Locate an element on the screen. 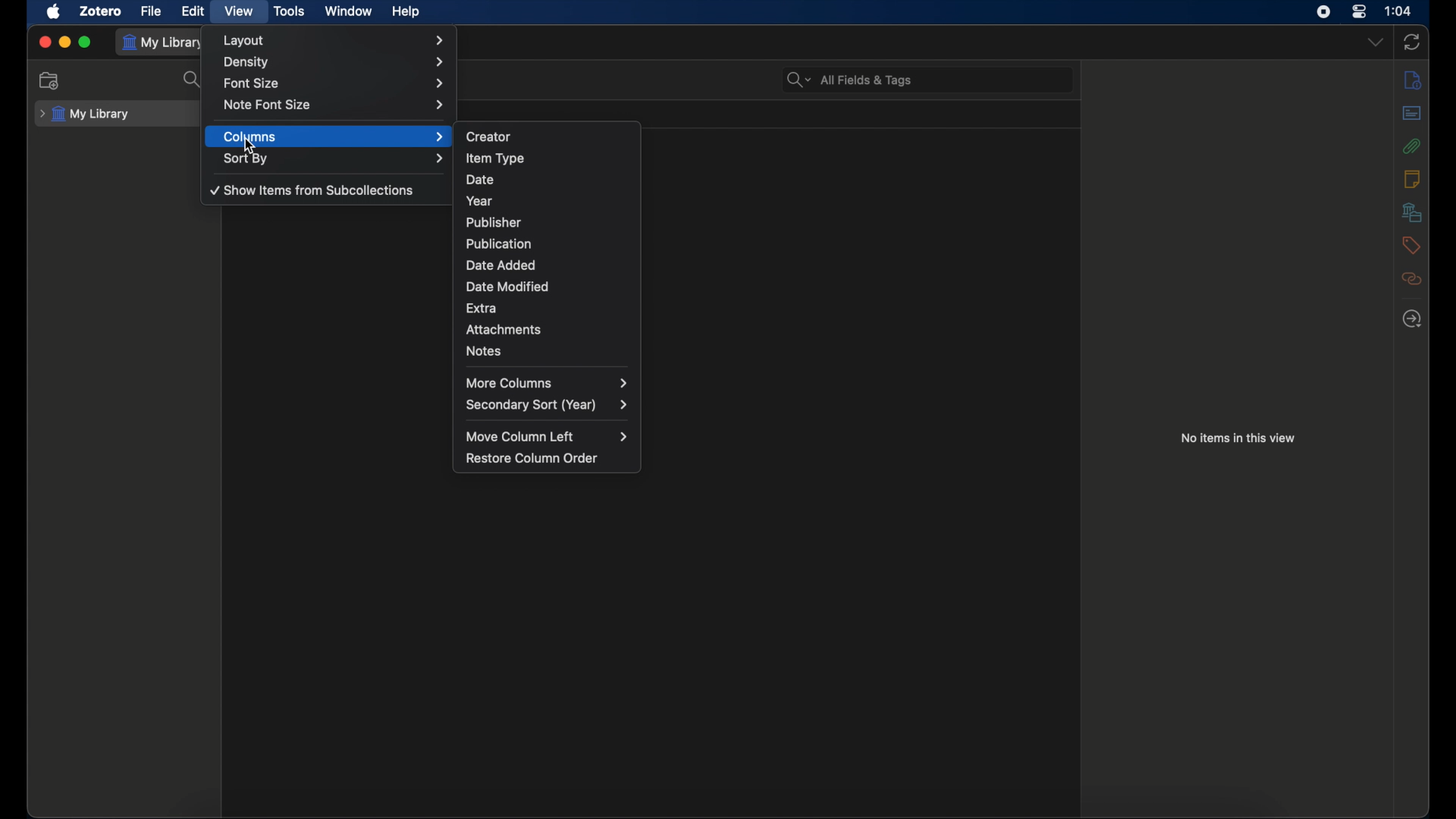  control center is located at coordinates (1359, 11).